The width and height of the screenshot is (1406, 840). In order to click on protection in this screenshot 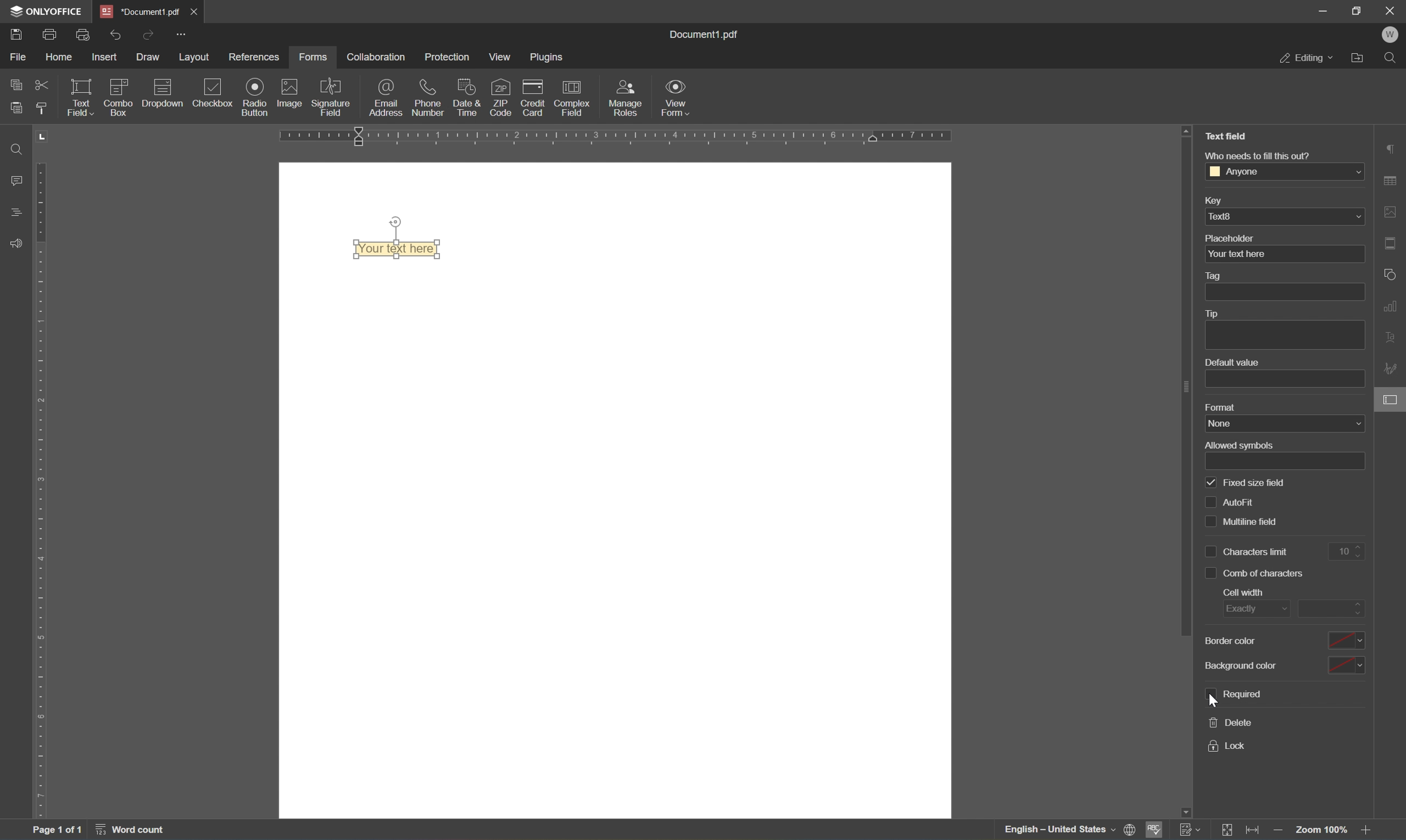, I will do `click(447, 56)`.